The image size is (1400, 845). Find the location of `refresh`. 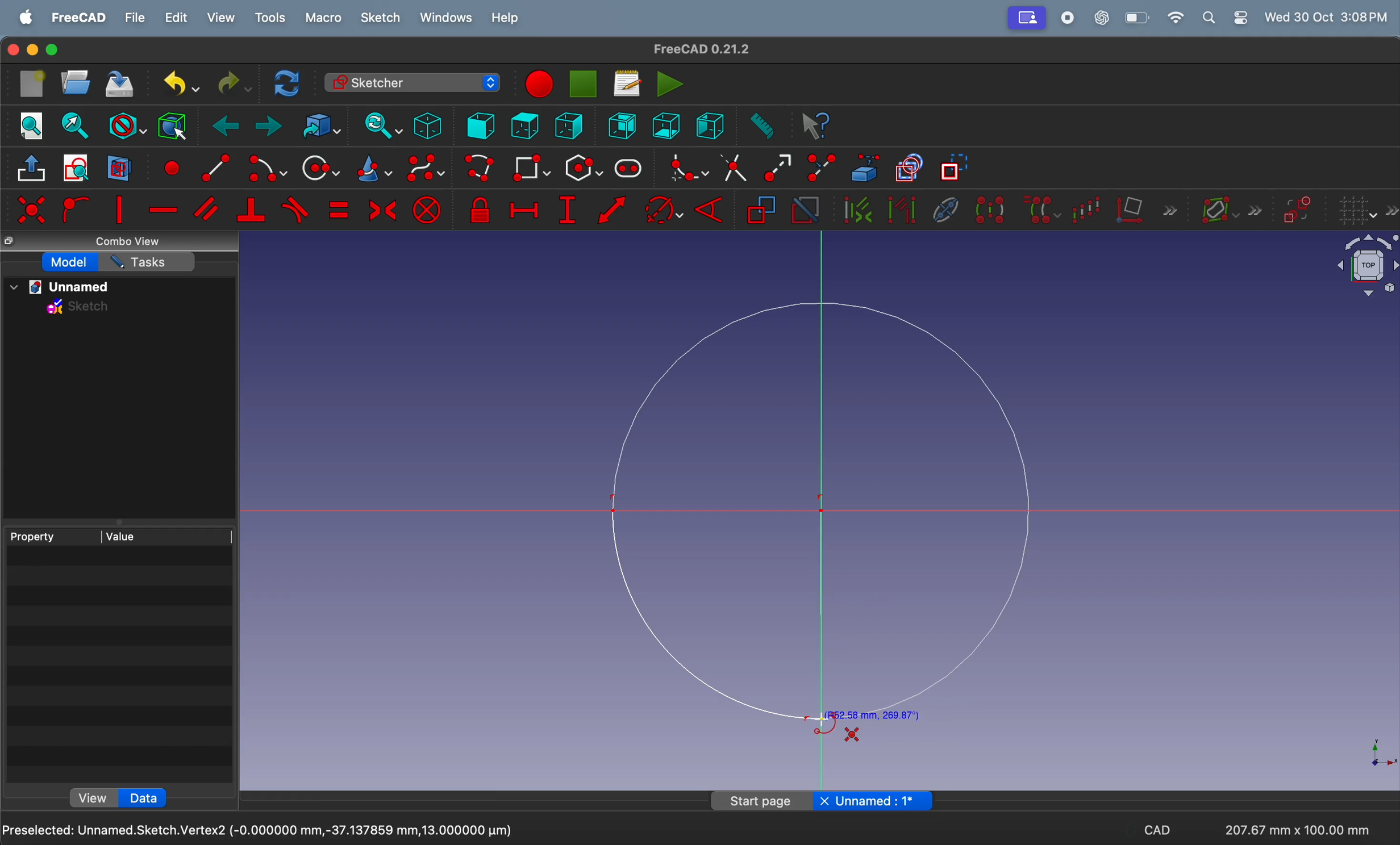

refresh is located at coordinates (289, 82).